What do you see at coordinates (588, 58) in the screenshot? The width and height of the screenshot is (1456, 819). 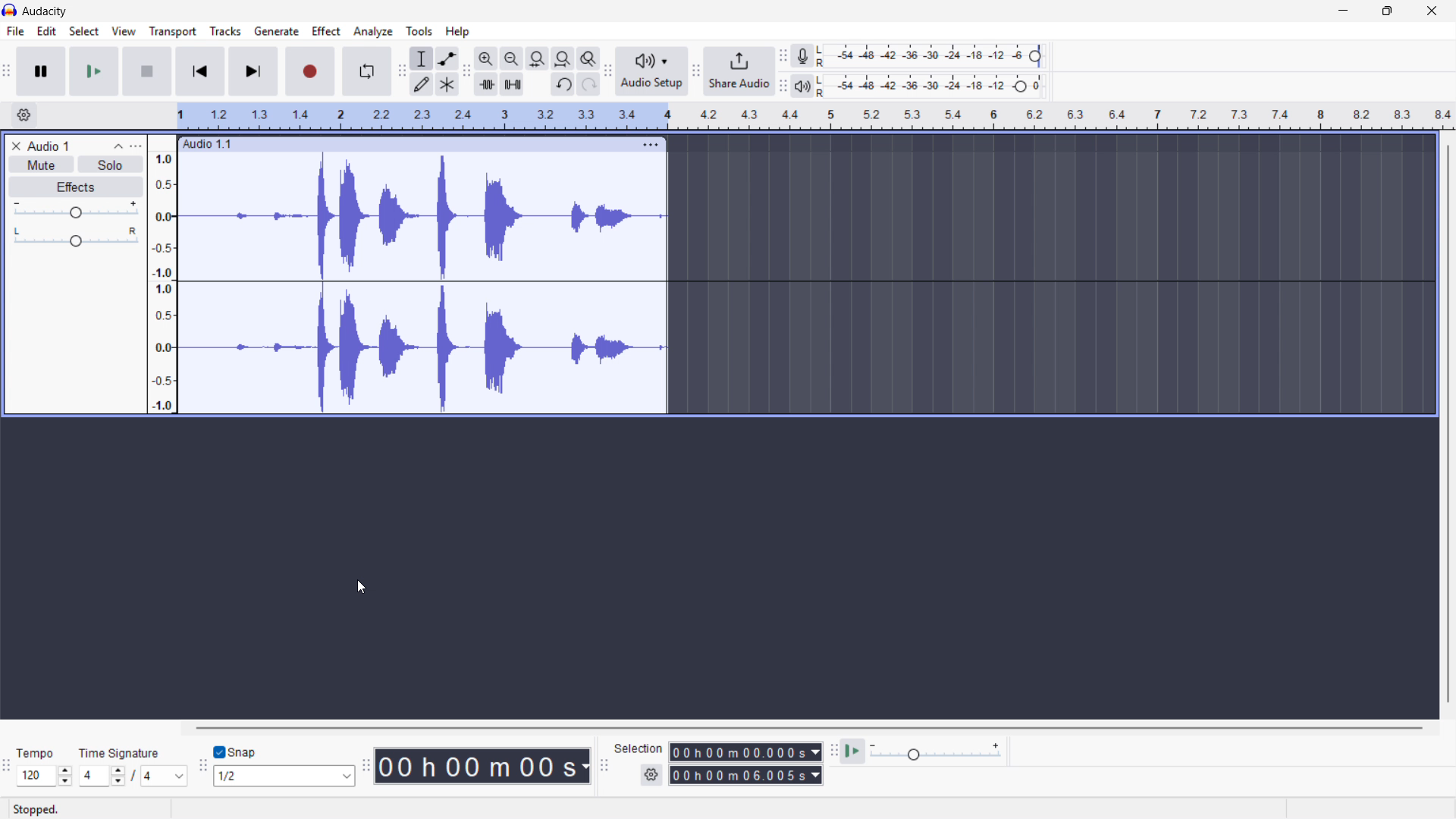 I see `toggle zoom` at bounding box center [588, 58].